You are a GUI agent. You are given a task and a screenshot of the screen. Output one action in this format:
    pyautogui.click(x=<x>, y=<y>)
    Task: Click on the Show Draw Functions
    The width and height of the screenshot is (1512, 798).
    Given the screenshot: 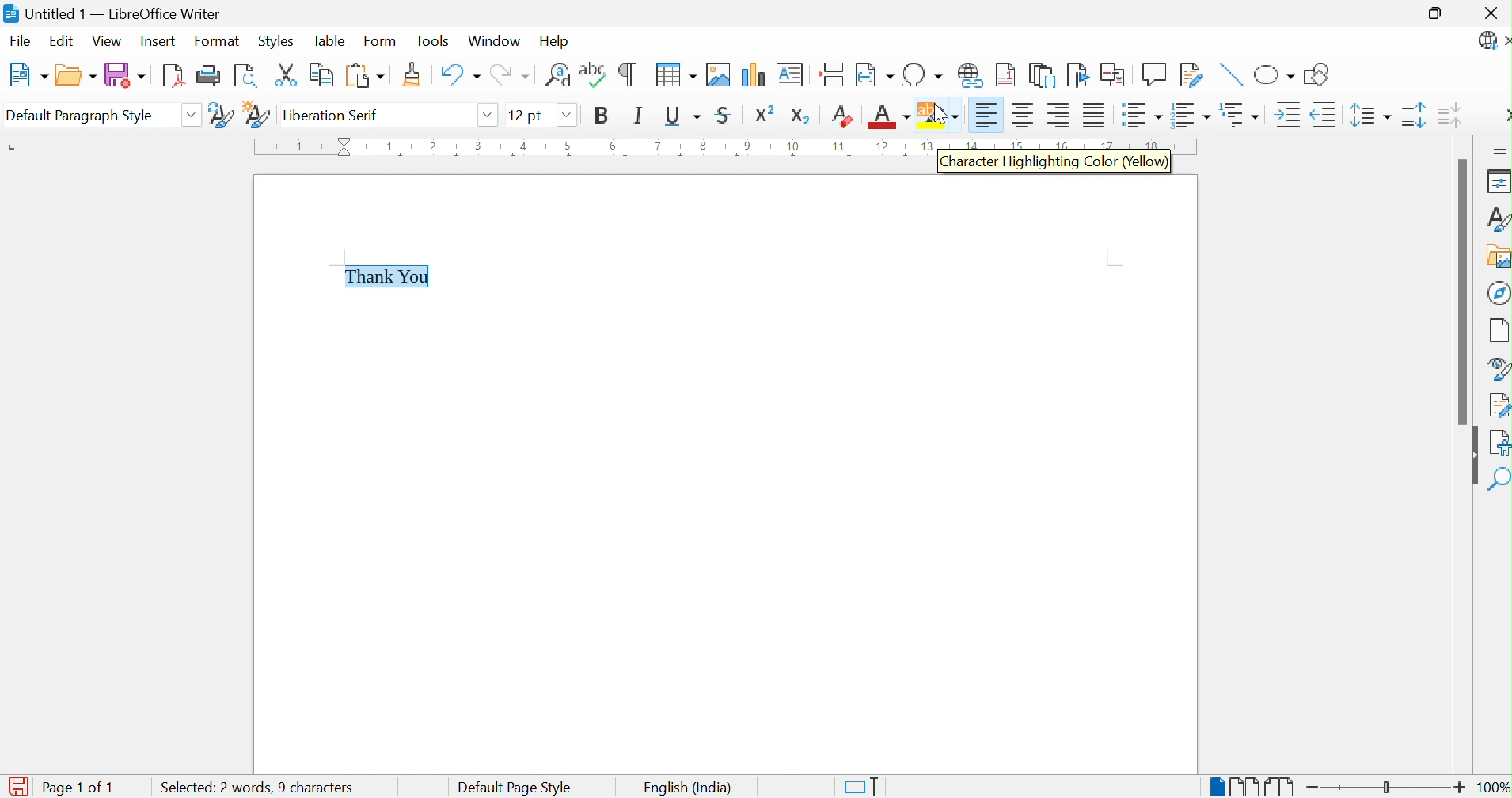 What is the action you would take?
    pyautogui.click(x=1318, y=74)
    